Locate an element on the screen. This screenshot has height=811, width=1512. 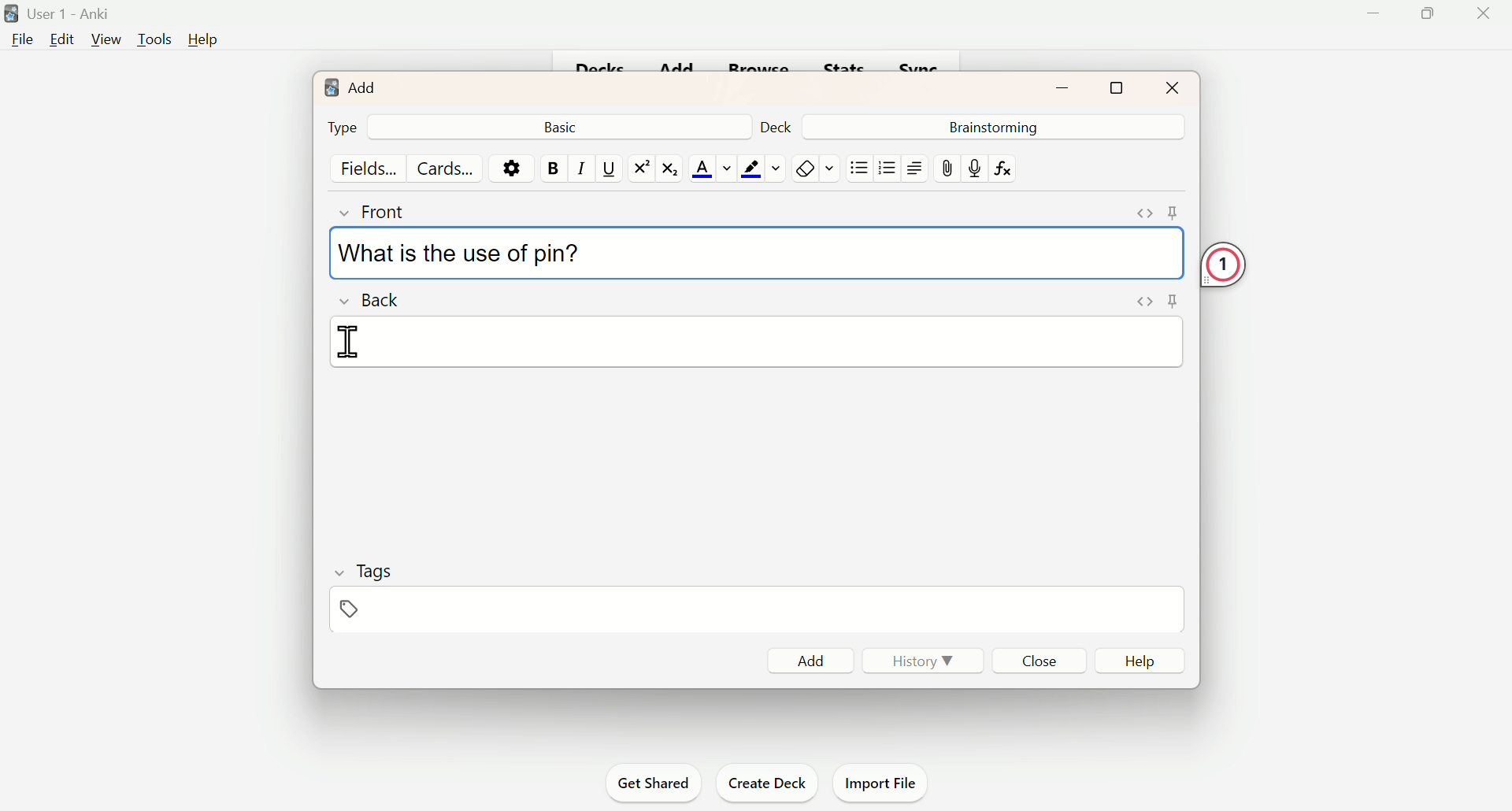
History is located at coordinates (916, 659).